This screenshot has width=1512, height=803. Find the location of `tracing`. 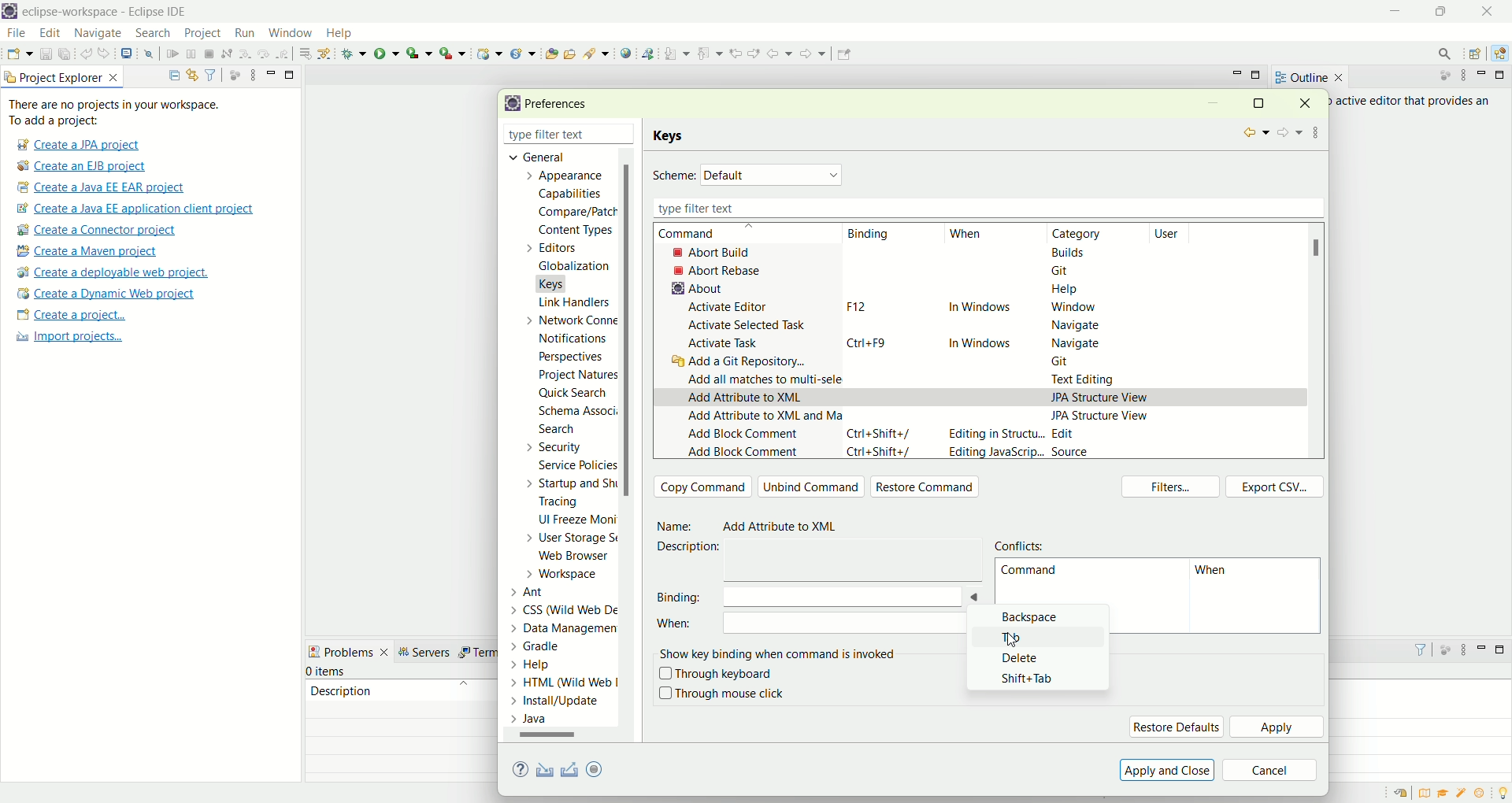

tracing is located at coordinates (569, 503).